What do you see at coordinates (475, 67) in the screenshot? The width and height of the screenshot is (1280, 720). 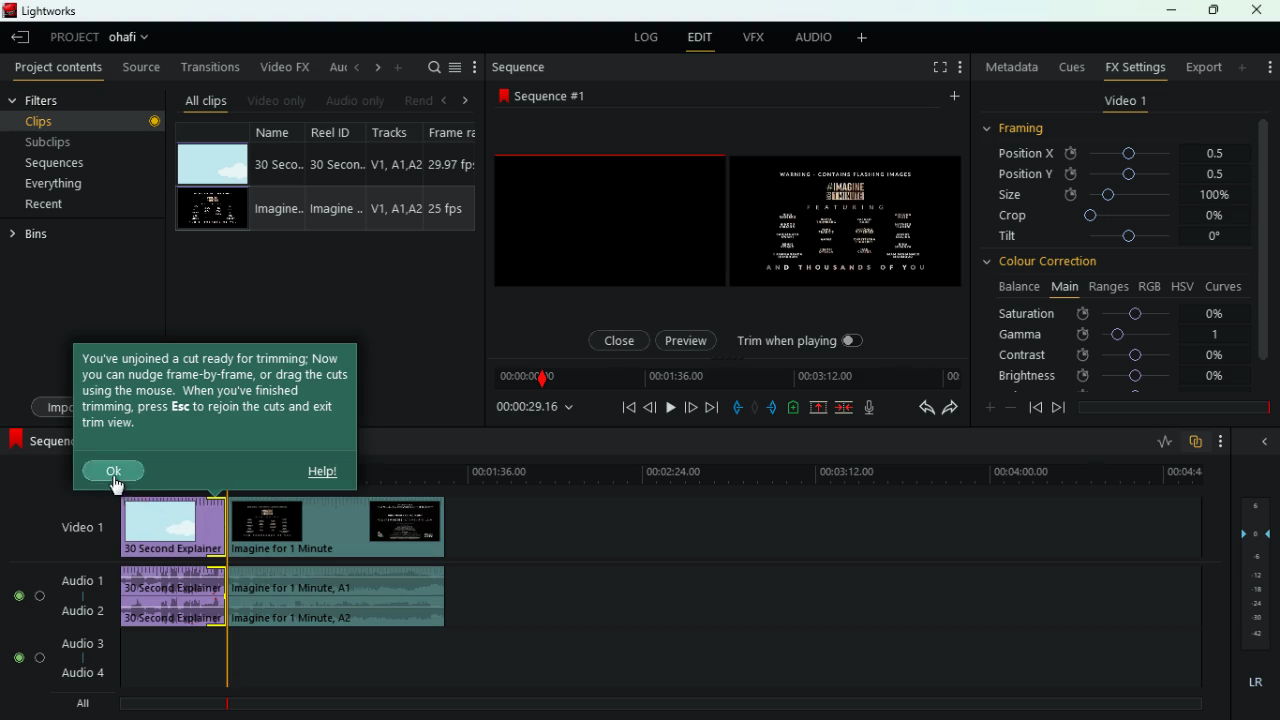 I see `more` at bounding box center [475, 67].